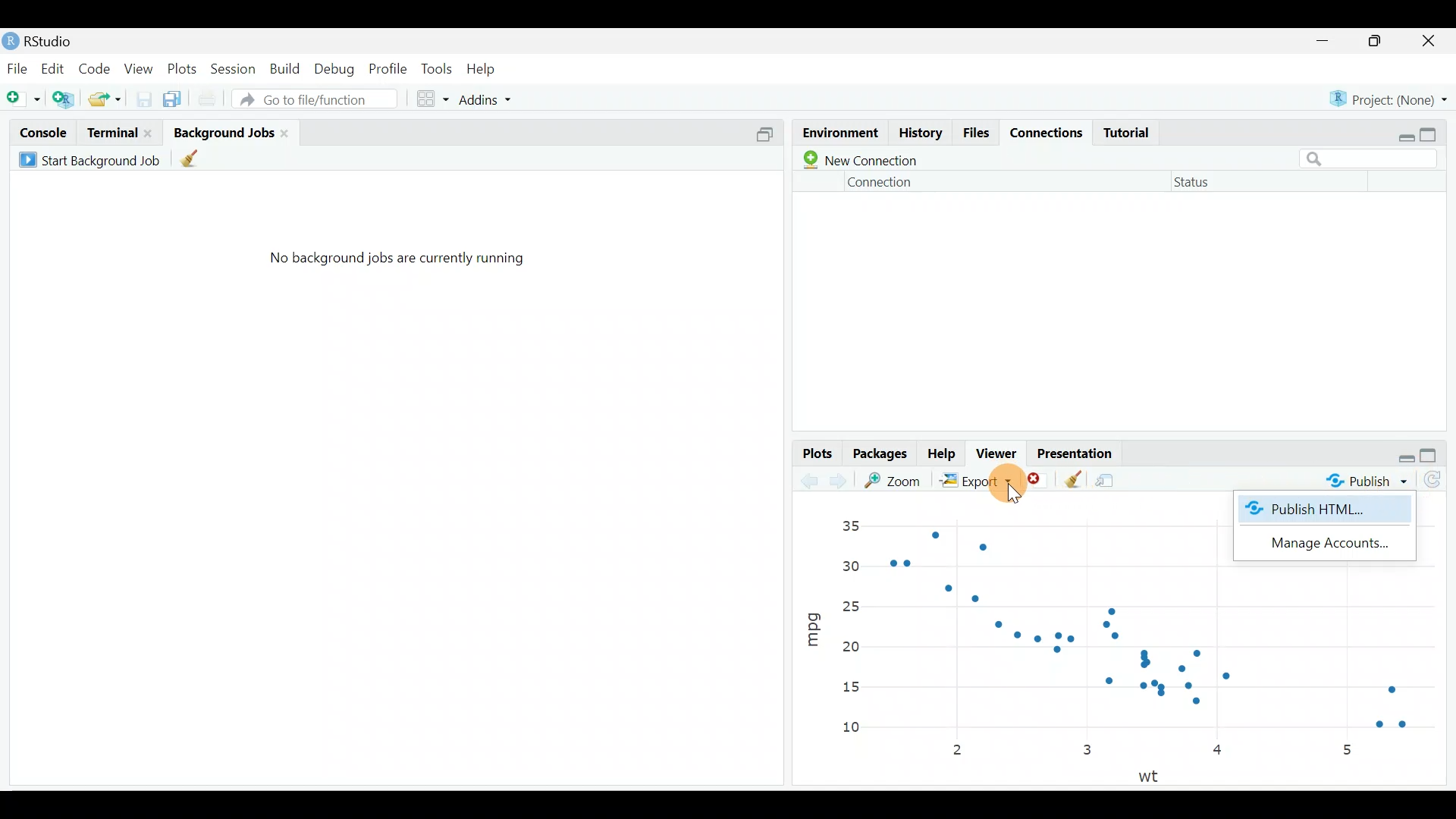  Describe the element at coordinates (1439, 482) in the screenshot. I see `Refresh viewer` at that location.